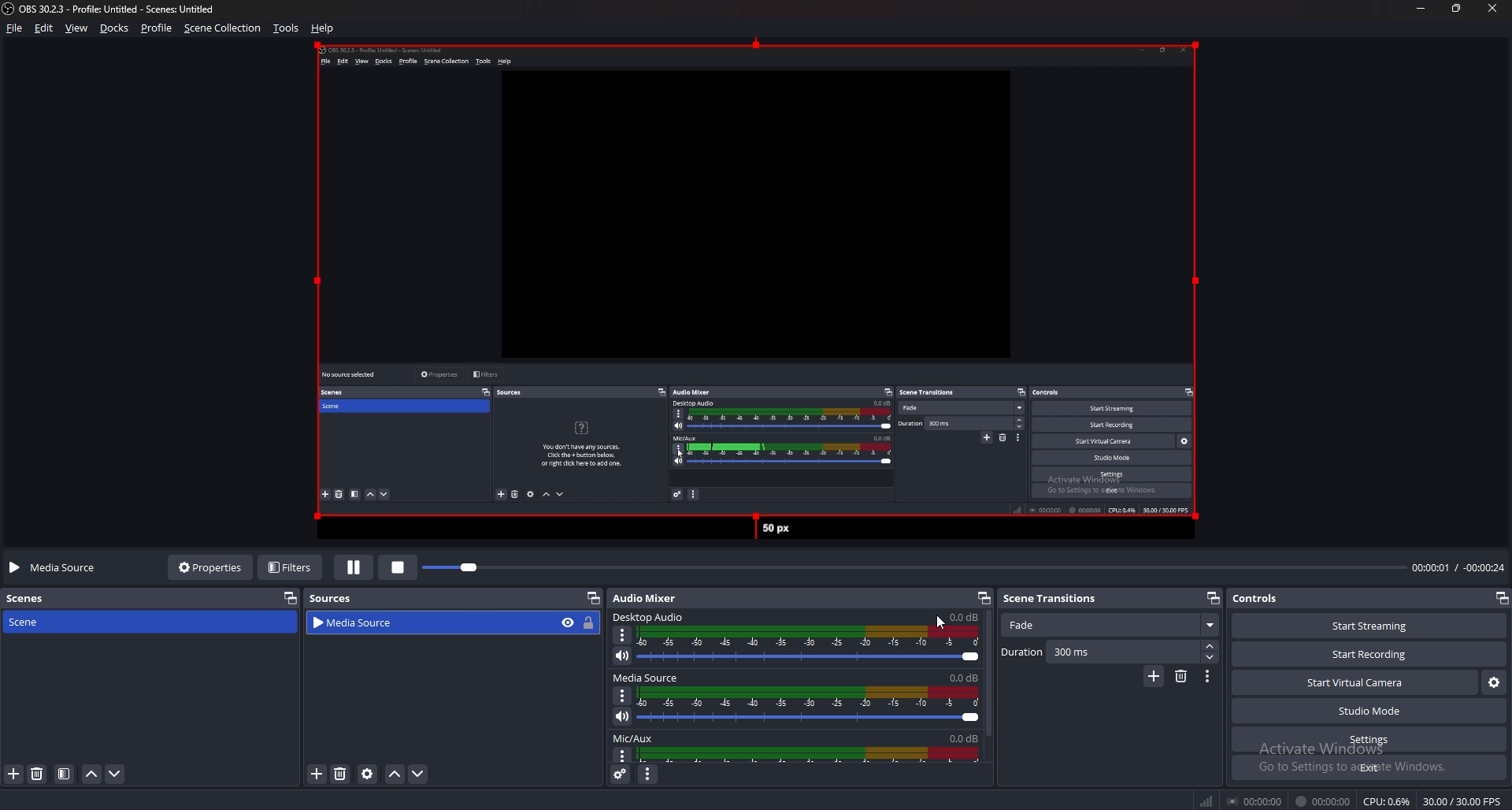  I want to click on Advanced audio properties, so click(622, 774).